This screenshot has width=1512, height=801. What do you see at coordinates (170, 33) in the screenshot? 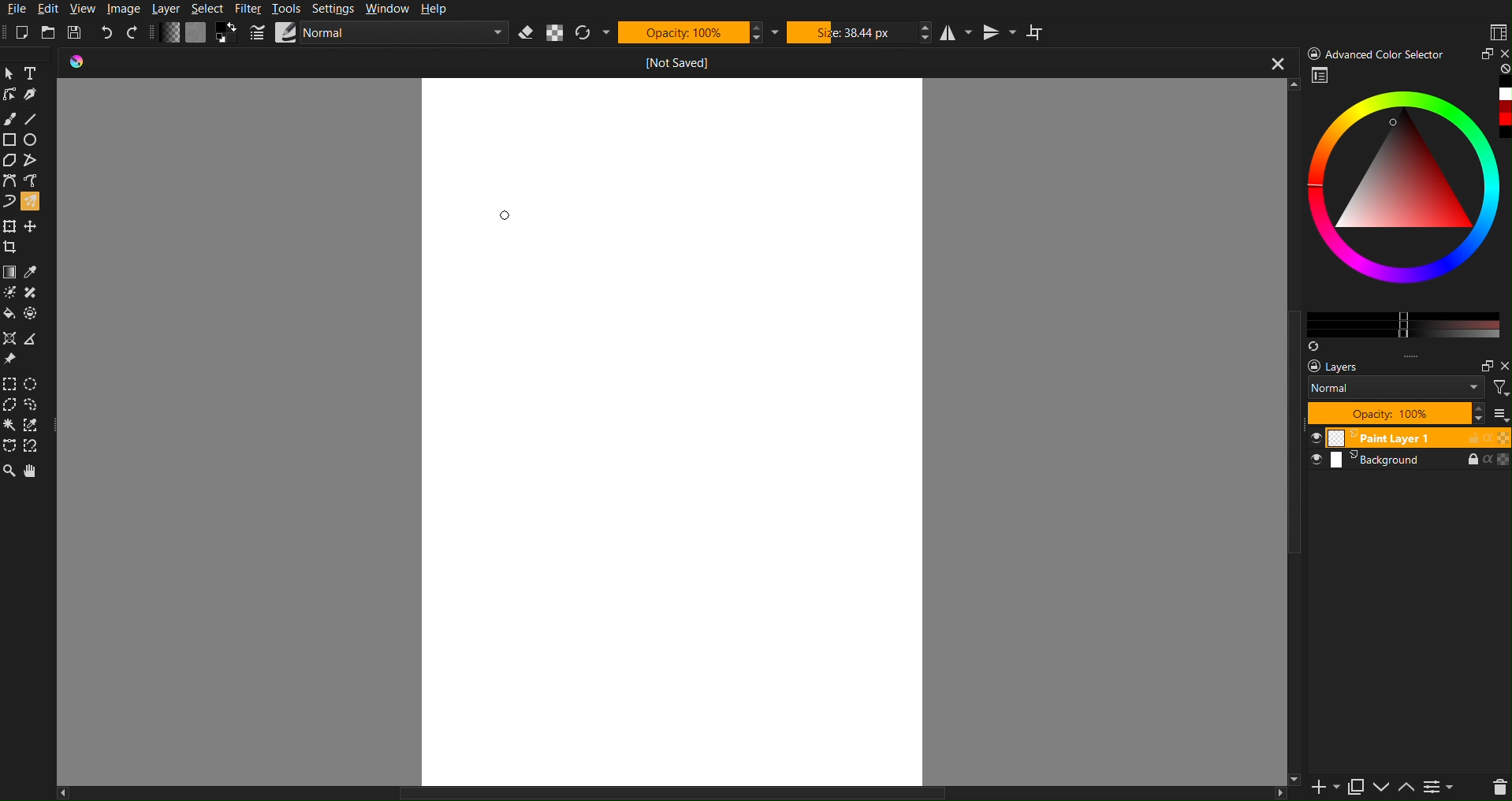
I see `Change Opacity` at bounding box center [170, 33].